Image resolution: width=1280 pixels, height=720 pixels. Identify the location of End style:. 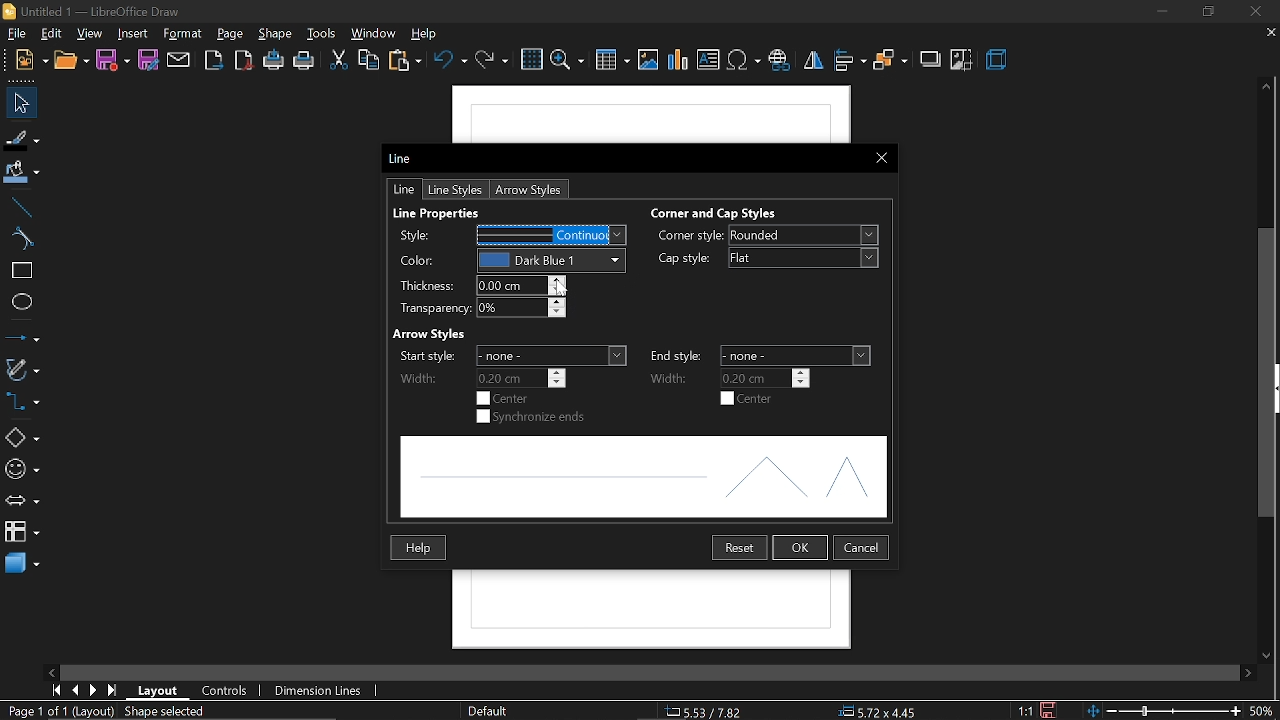
(677, 354).